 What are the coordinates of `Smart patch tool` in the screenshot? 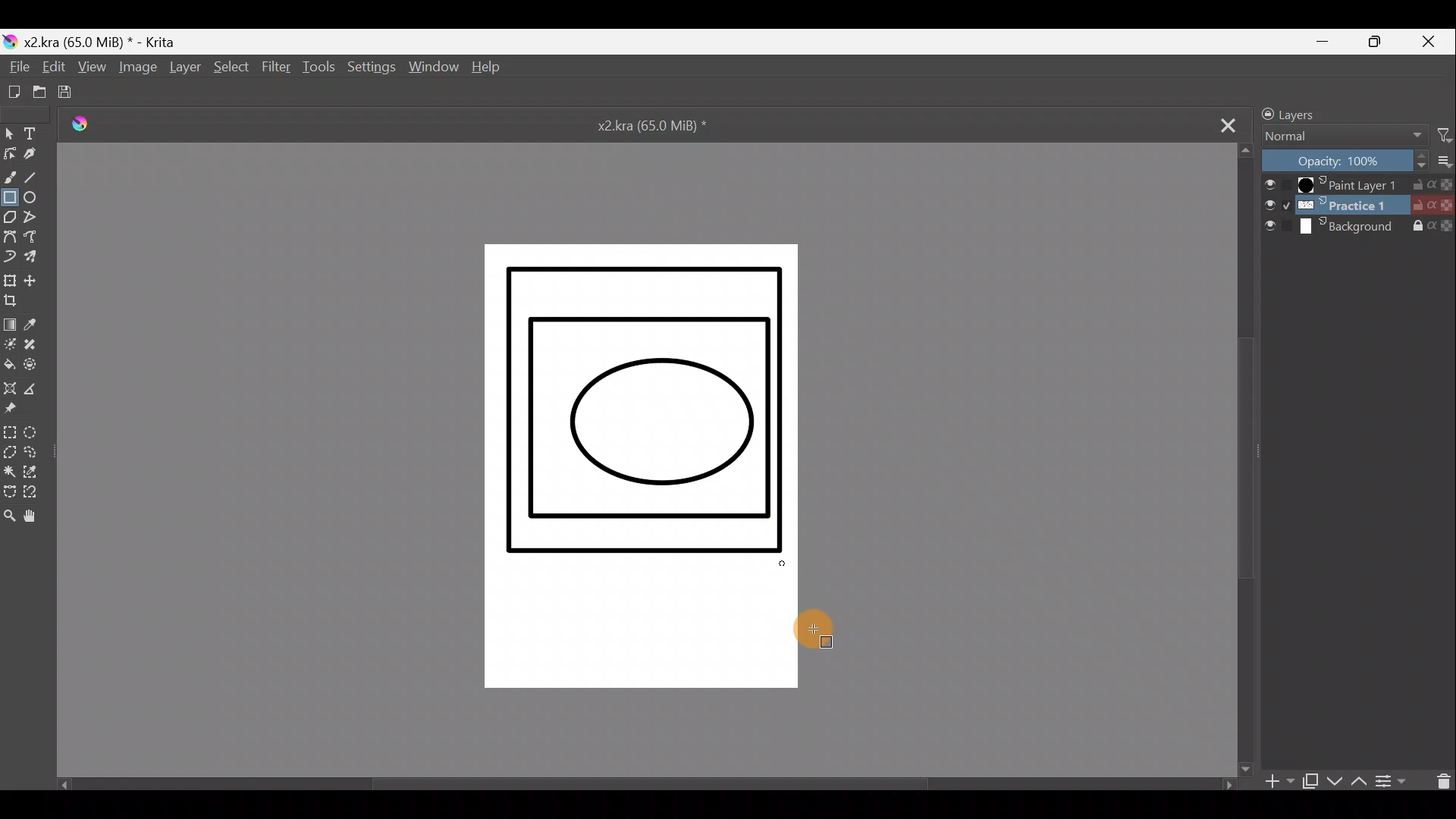 It's located at (36, 346).